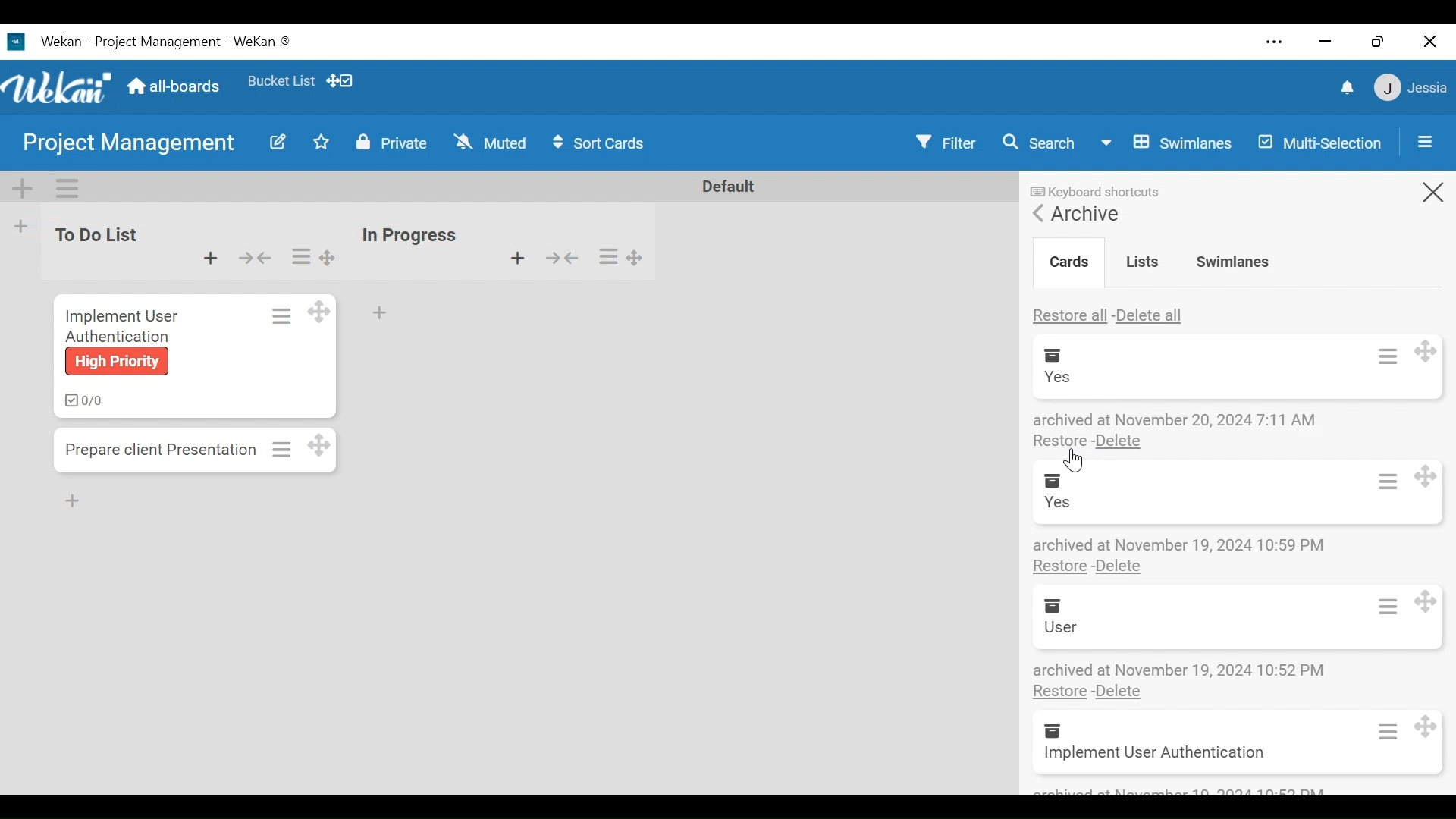  Describe the element at coordinates (1430, 475) in the screenshot. I see `Desktop drag handles` at that location.